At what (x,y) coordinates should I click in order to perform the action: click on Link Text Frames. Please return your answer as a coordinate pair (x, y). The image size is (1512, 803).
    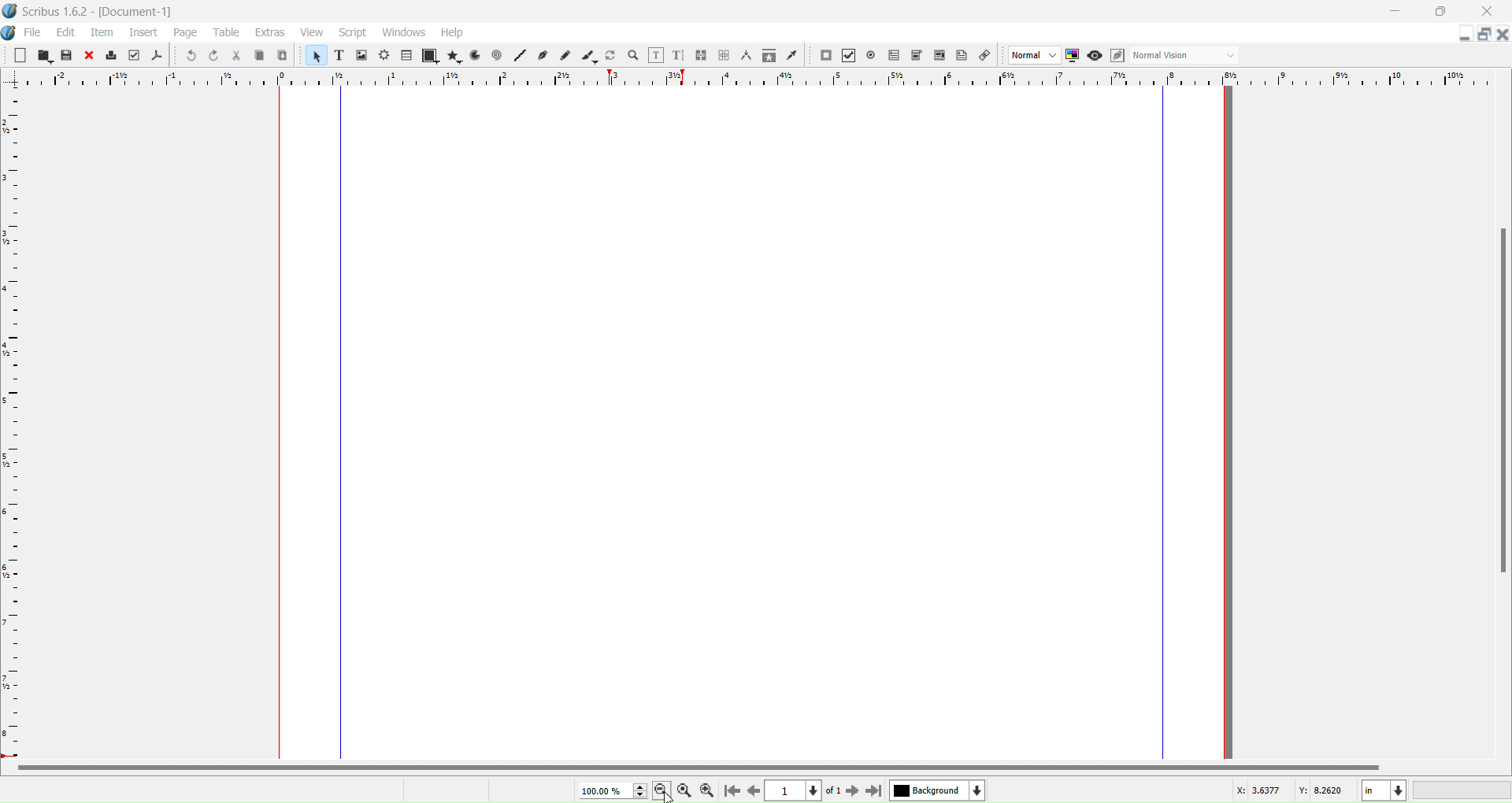
    Looking at the image, I should click on (700, 55).